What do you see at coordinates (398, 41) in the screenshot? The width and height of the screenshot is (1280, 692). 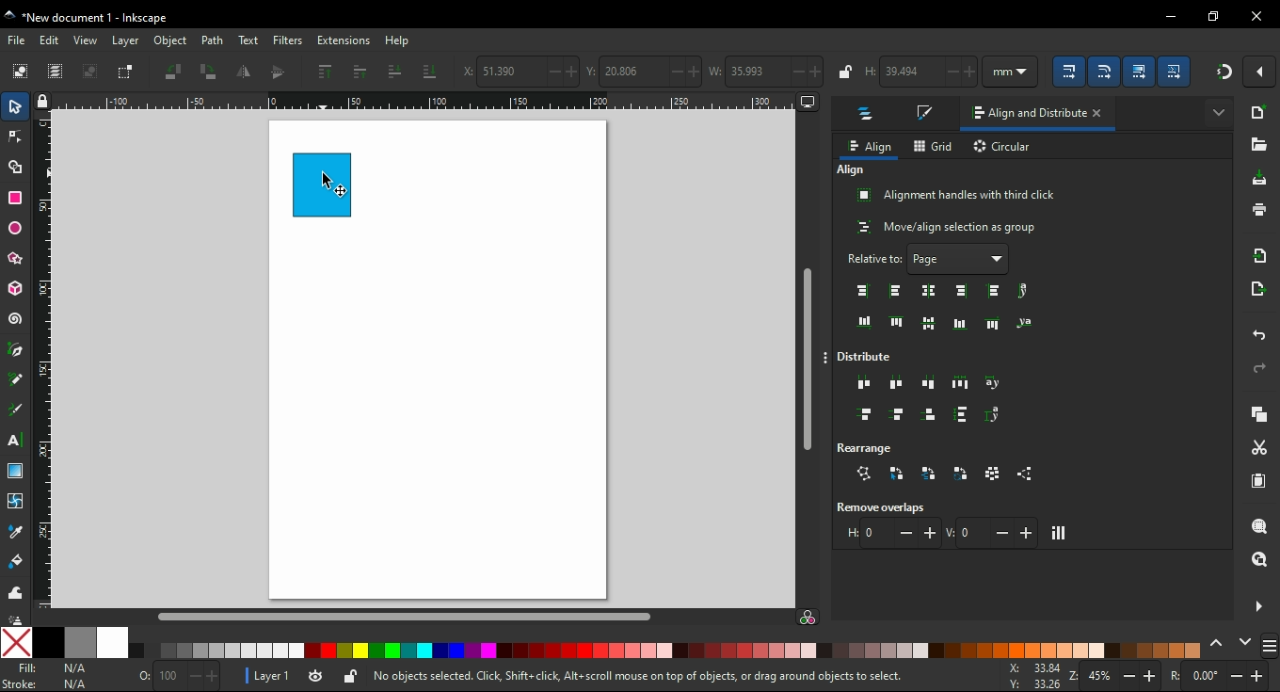 I see `help` at bounding box center [398, 41].